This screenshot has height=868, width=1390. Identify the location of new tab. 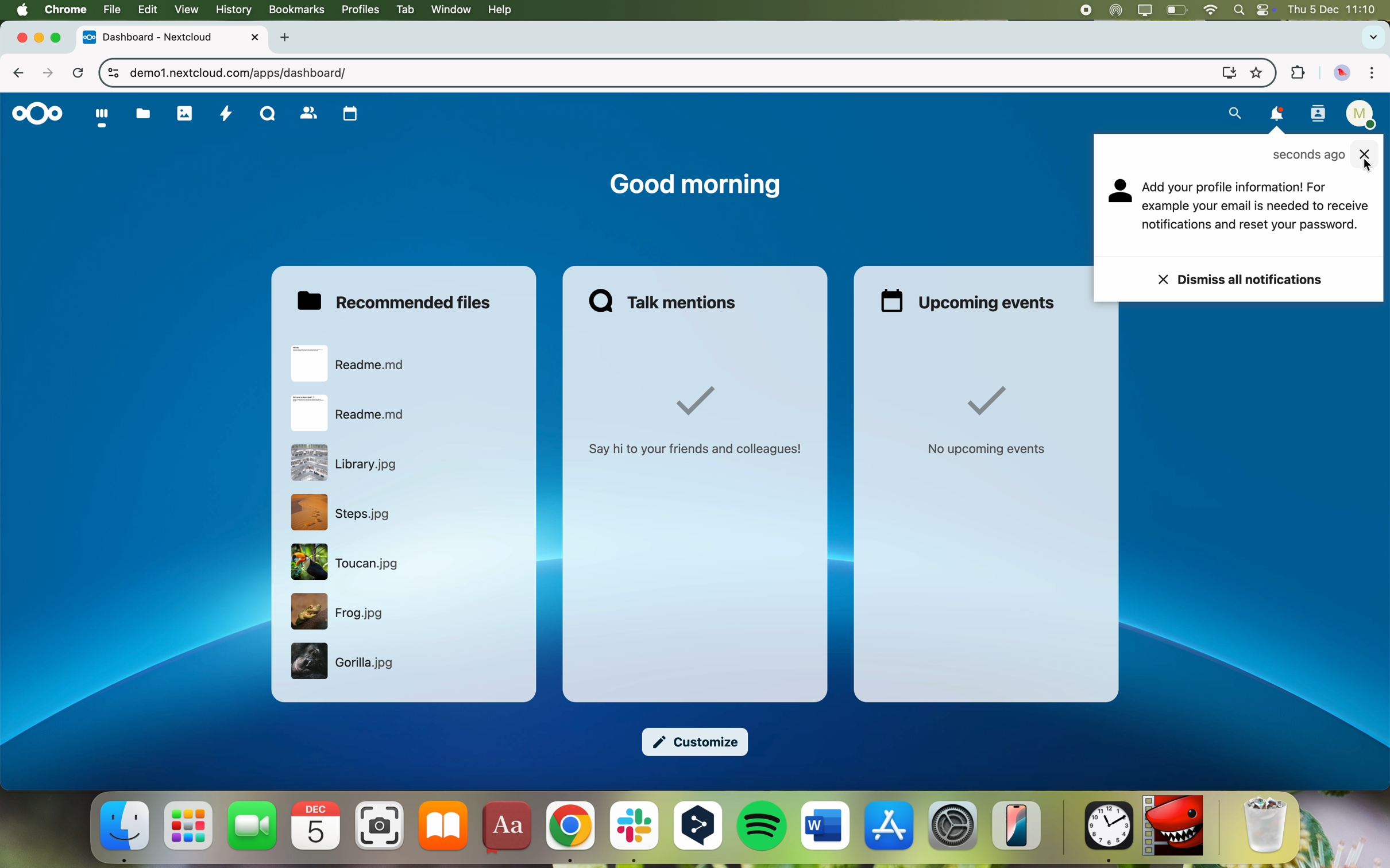
(287, 38).